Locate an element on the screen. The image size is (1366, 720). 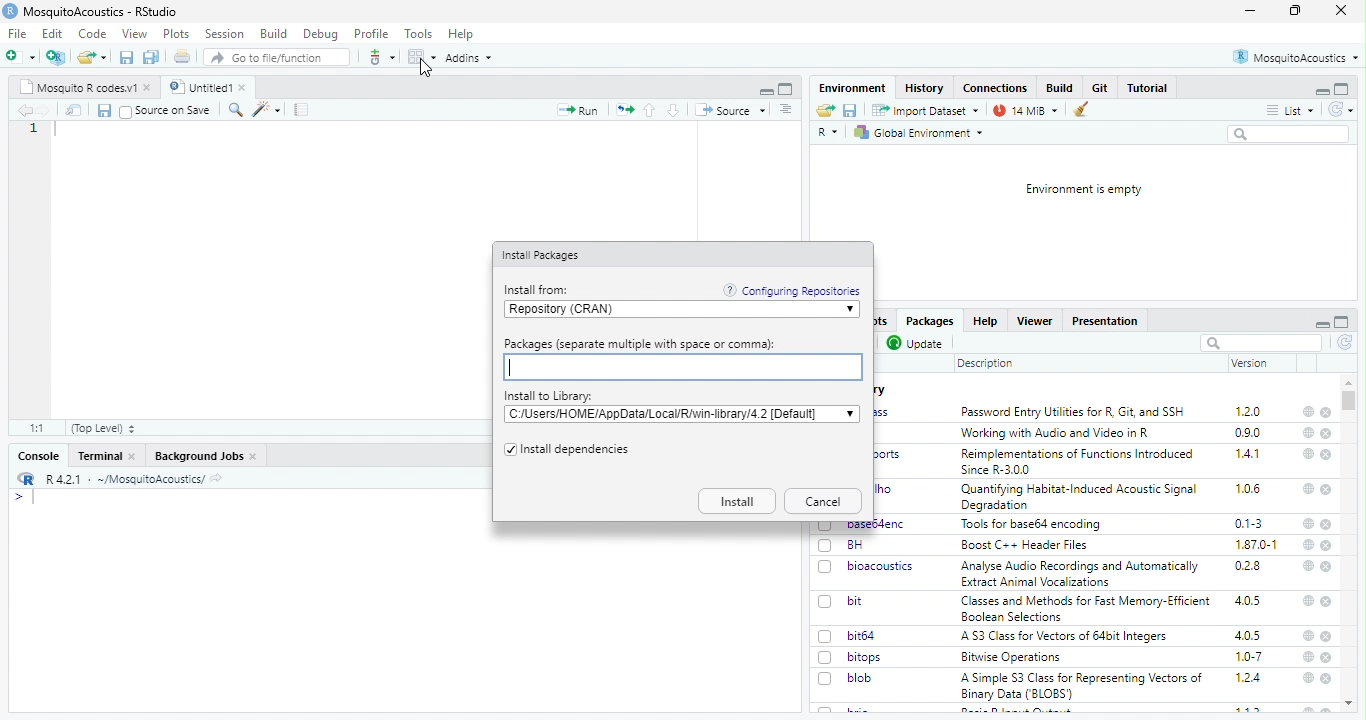
checkbox is located at coordinates (826, 546).